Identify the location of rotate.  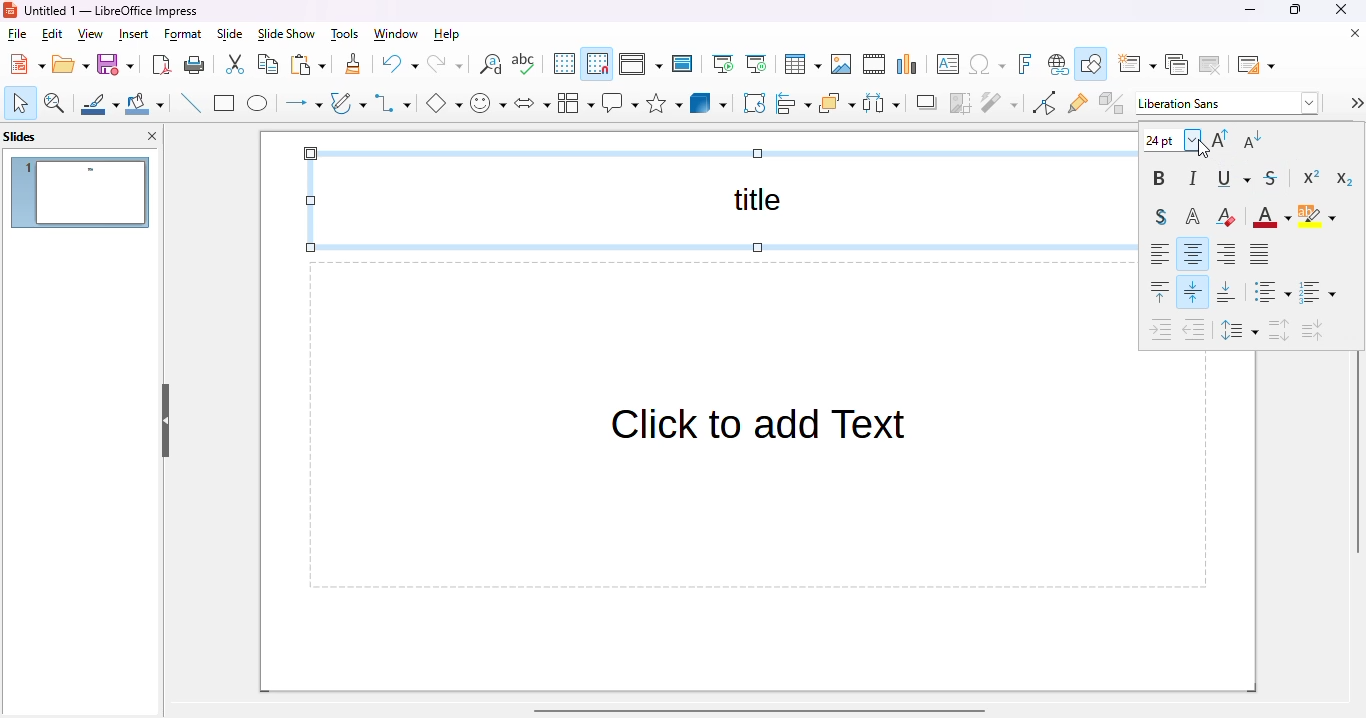
(755, 103).